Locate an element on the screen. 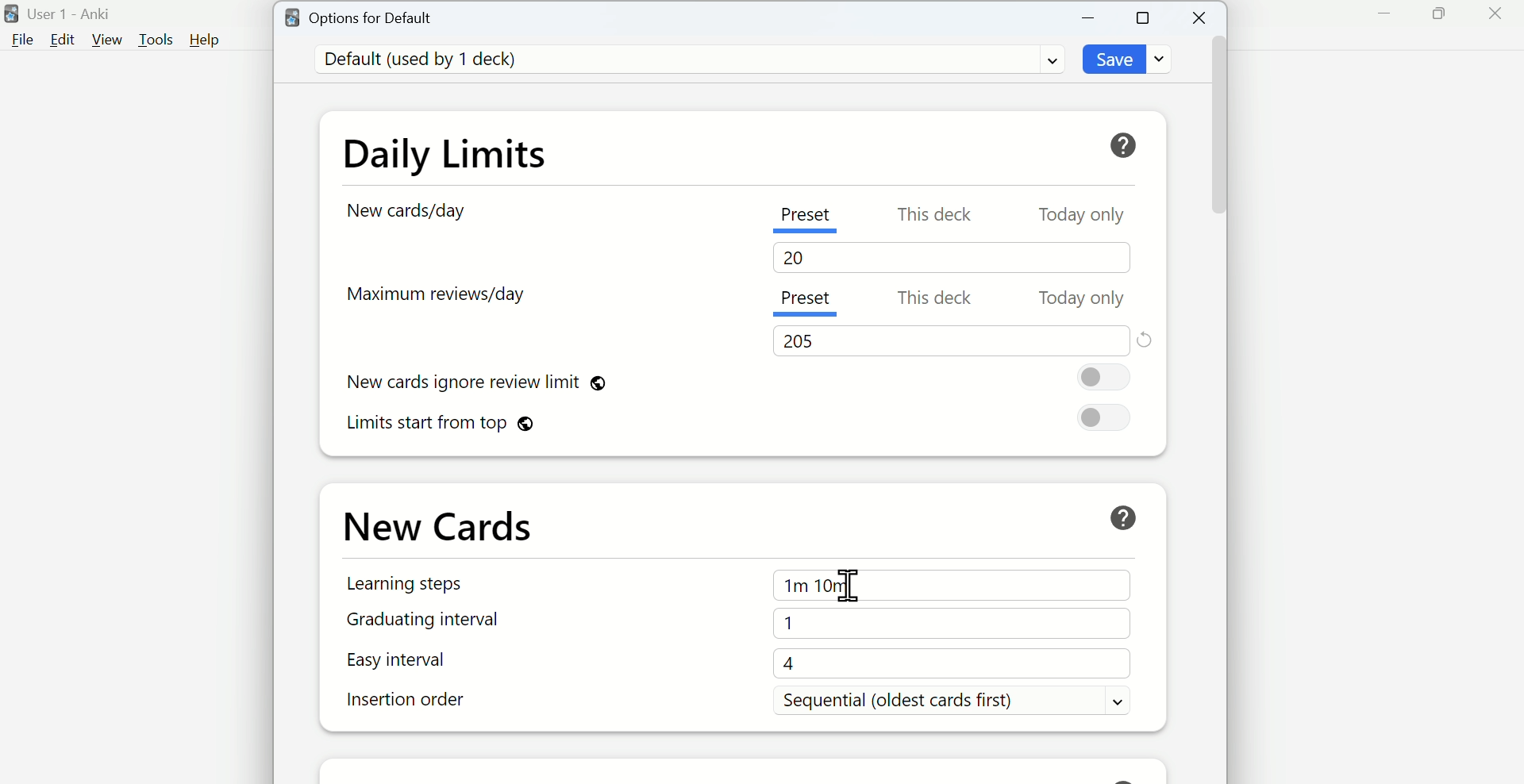 The height and width of the screenshot is (784, 1524). Maximize is located at coordinates (1439, 18).